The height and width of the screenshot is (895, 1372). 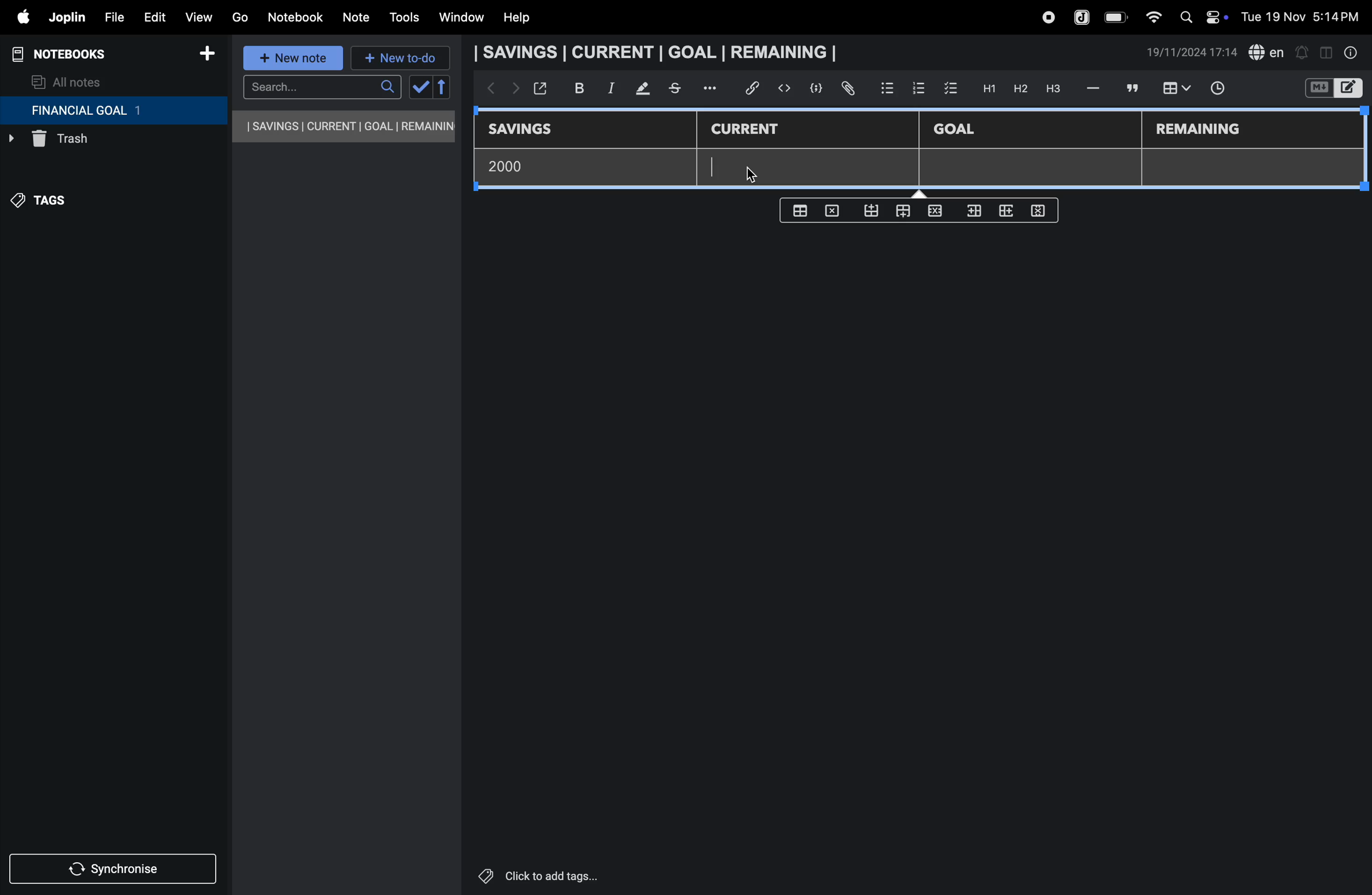 I want to click on savings, so click(x=529, y=130).